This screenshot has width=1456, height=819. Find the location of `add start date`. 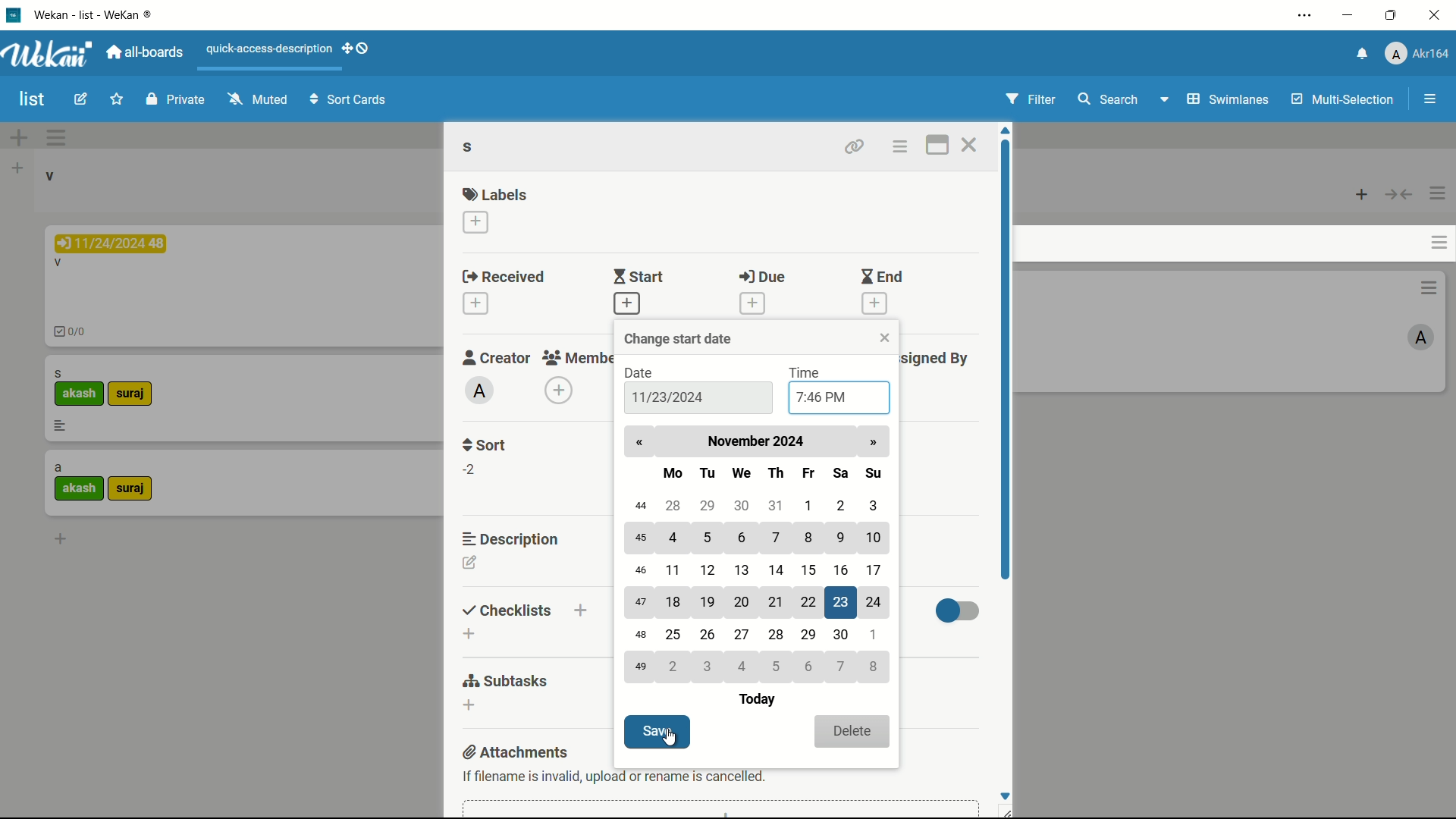

add start date is located at coordinates (626, 304).